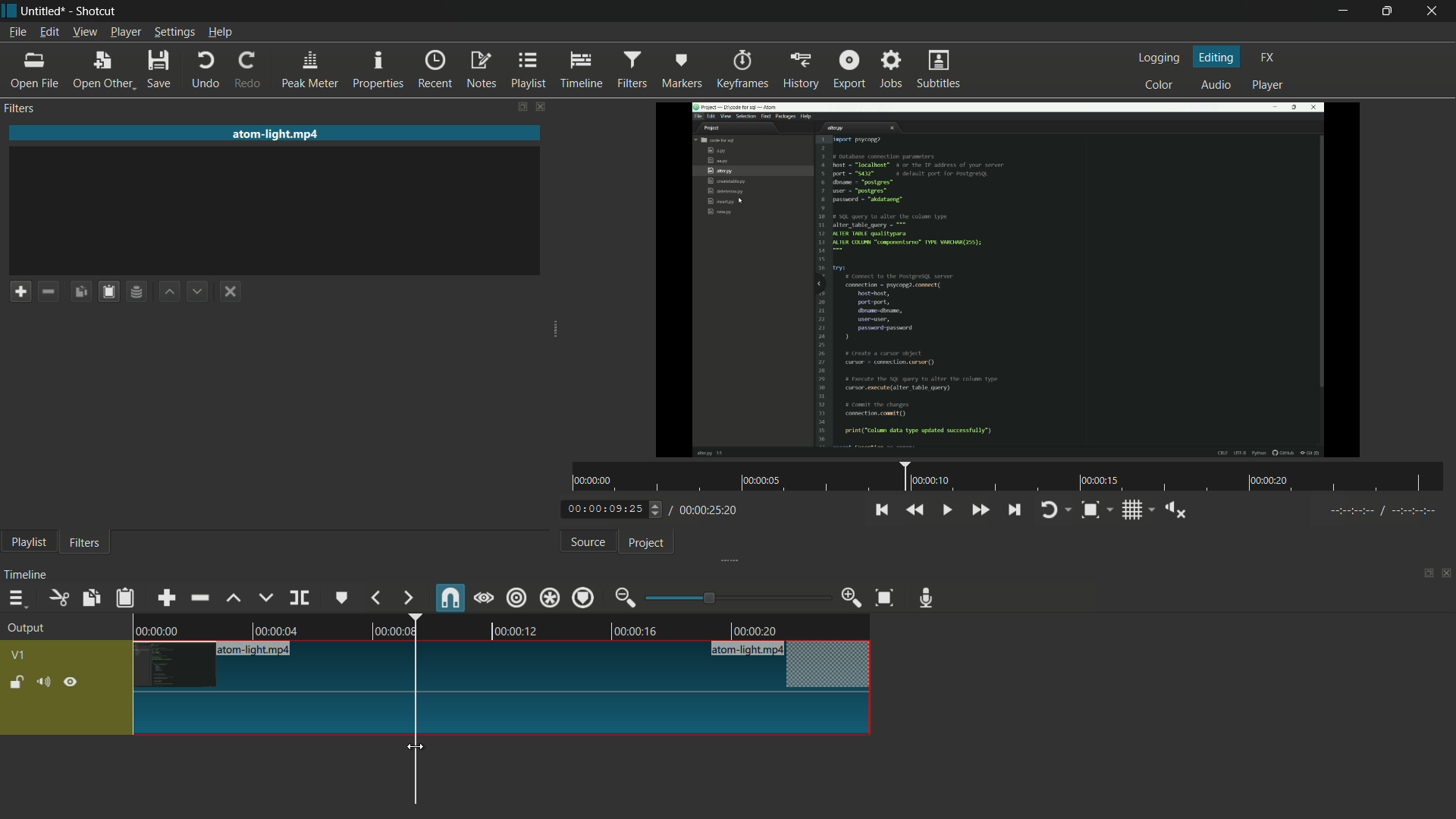 The width and height of the screenshot is (1456, 819). What do you see at coordinates (881, 510) in the screenshot?
I see `skip to the previous point` at bounding box center [881, 510].